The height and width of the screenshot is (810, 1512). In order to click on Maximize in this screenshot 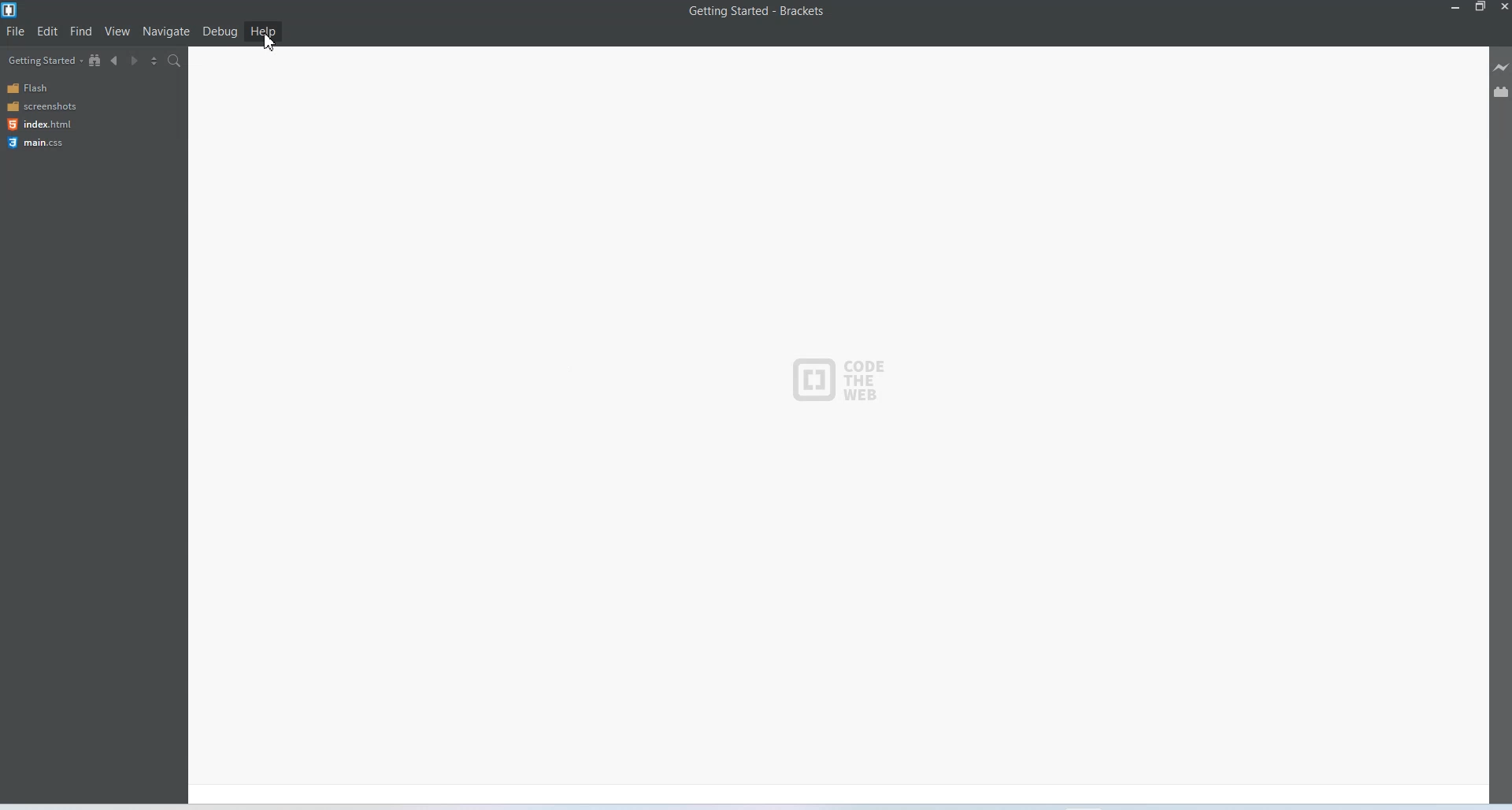, I will do `click(1481, 7)`.